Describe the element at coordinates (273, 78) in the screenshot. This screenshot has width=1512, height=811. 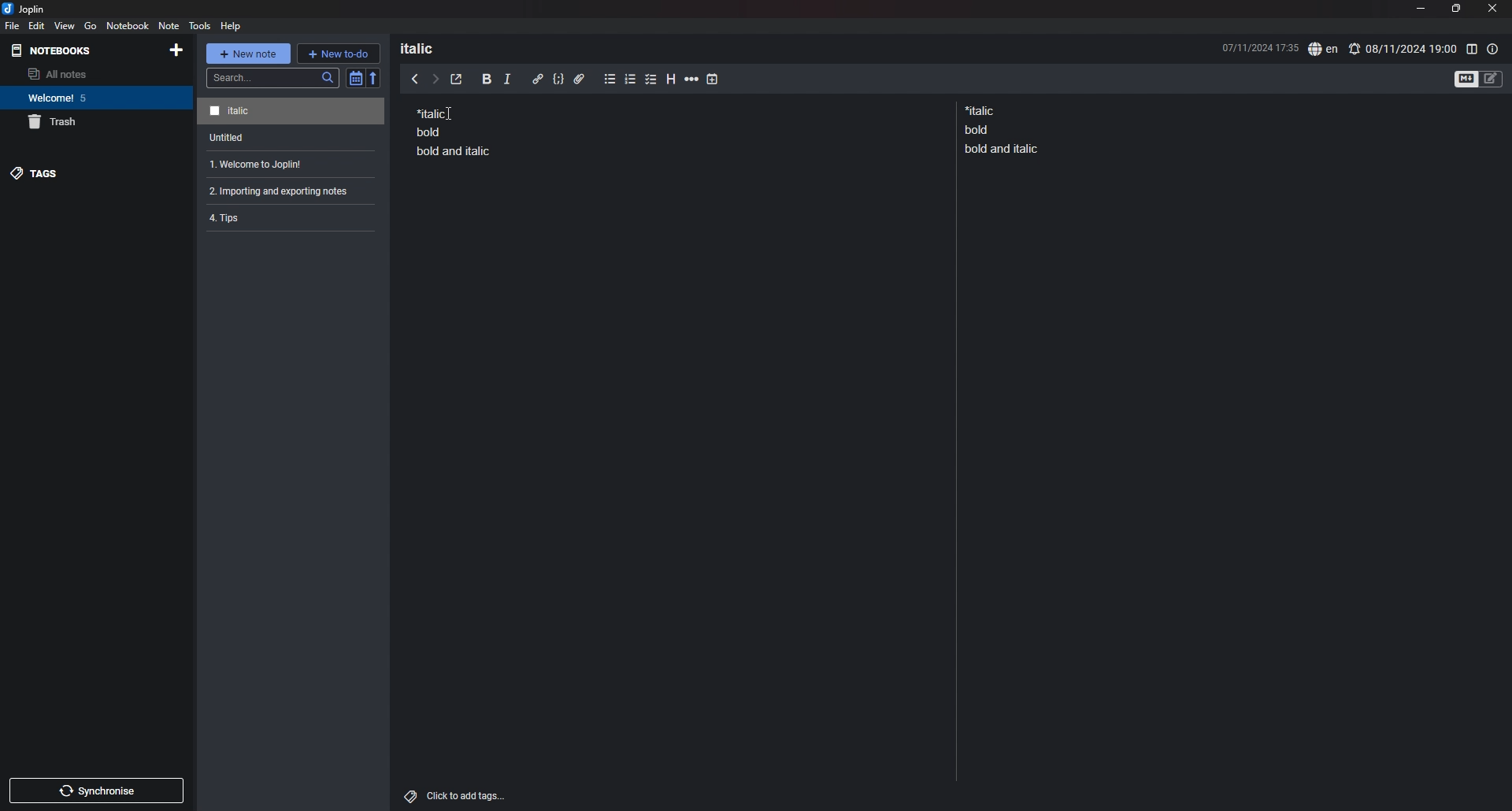
I see `search bar` at that location.